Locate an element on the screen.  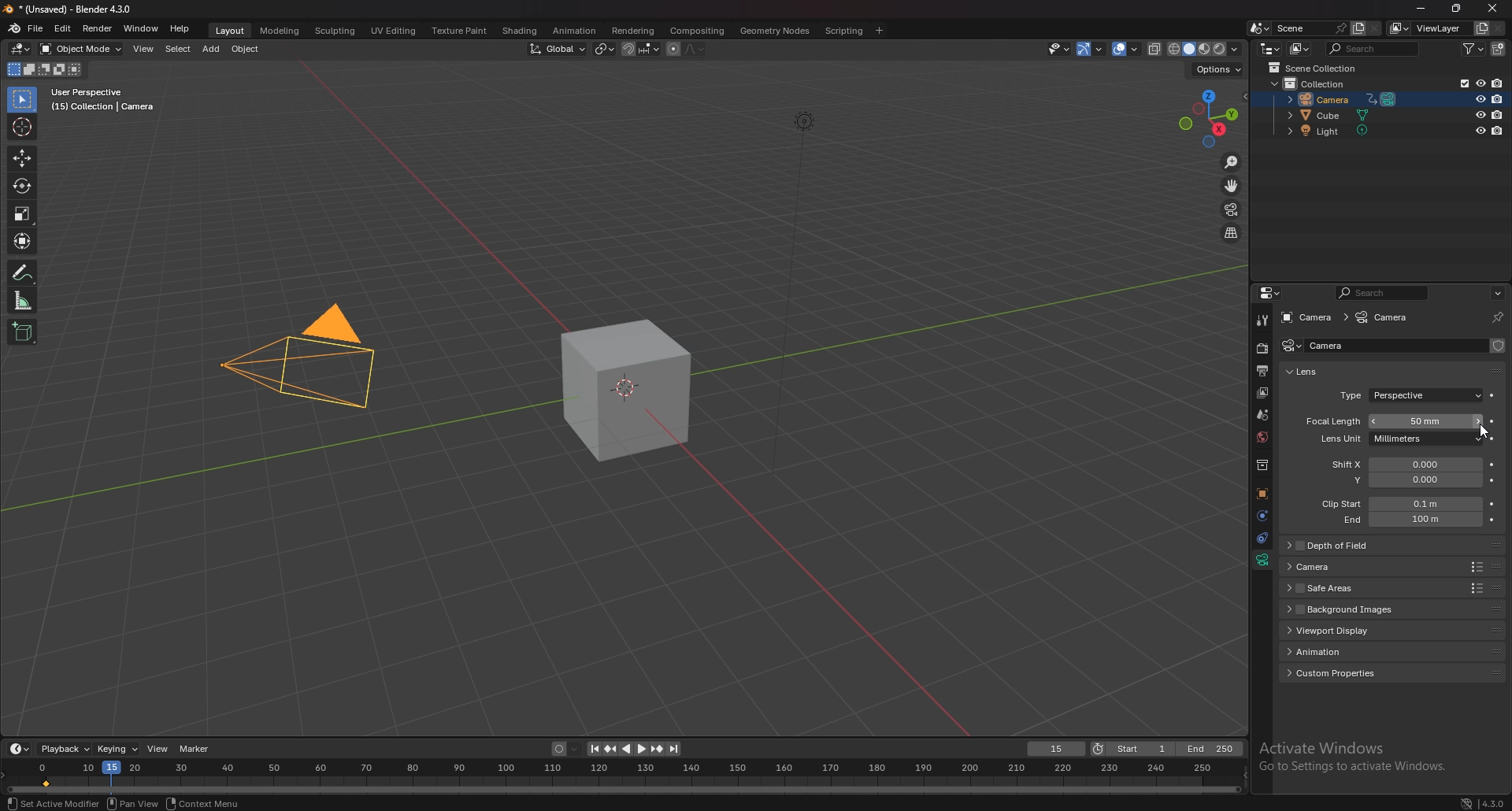
 is located at coordinates (1477, 567).